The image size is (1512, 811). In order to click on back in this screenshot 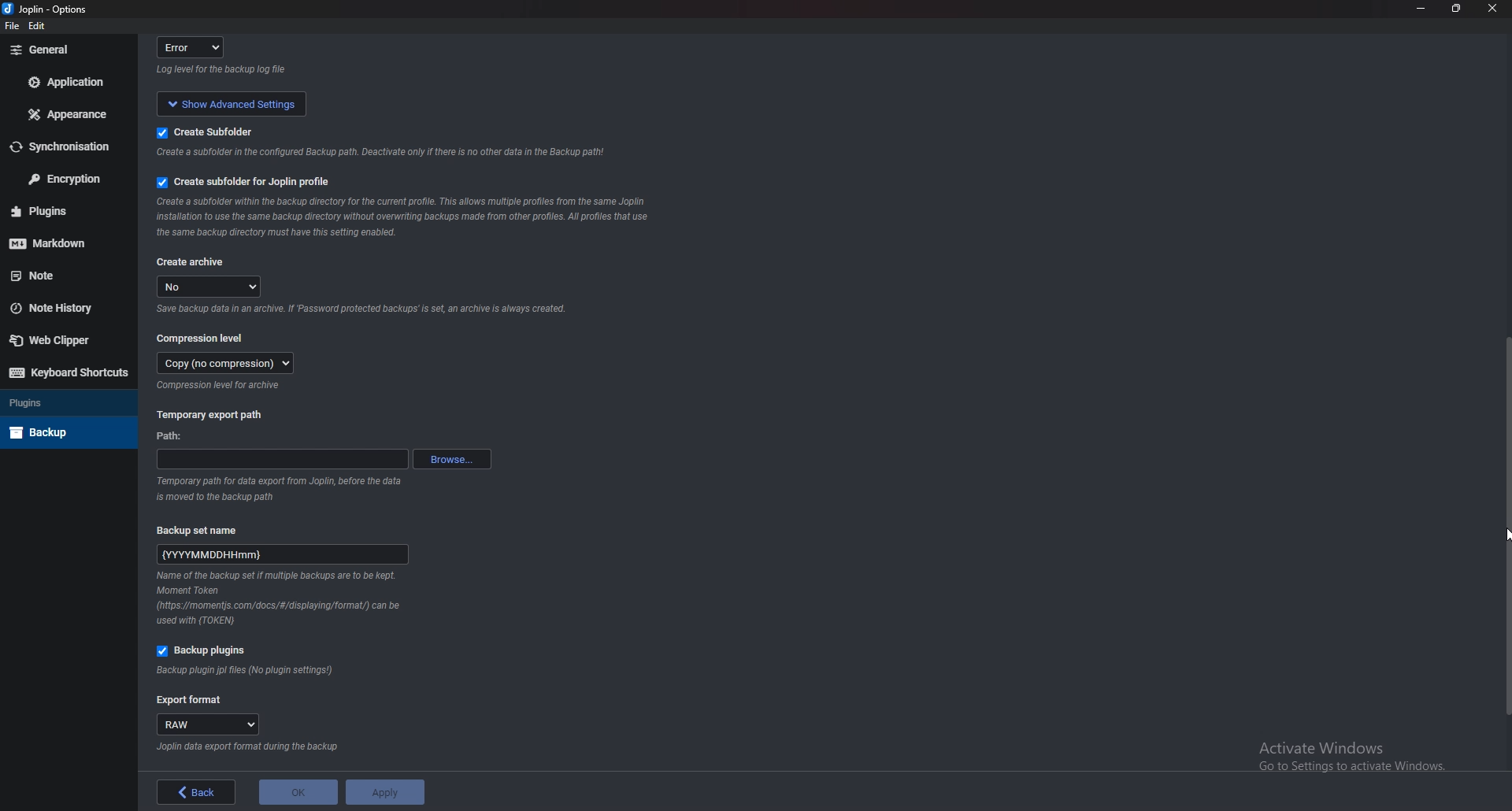, I will do `click(197, 792)`.